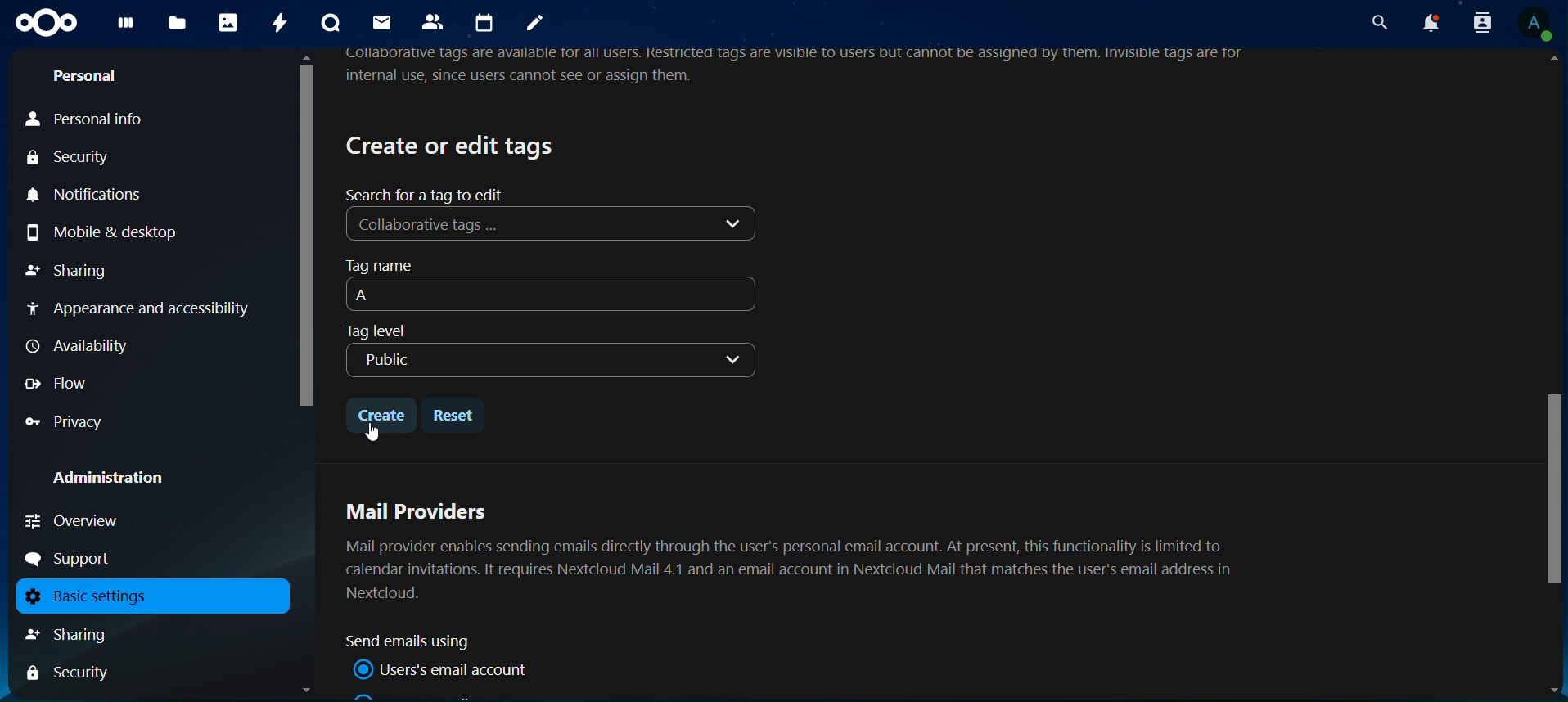 The width and height of the screenshot is (1568, 702). Describe the element at coordinates (78, 160) in the screenshot. I see `security` at that location.